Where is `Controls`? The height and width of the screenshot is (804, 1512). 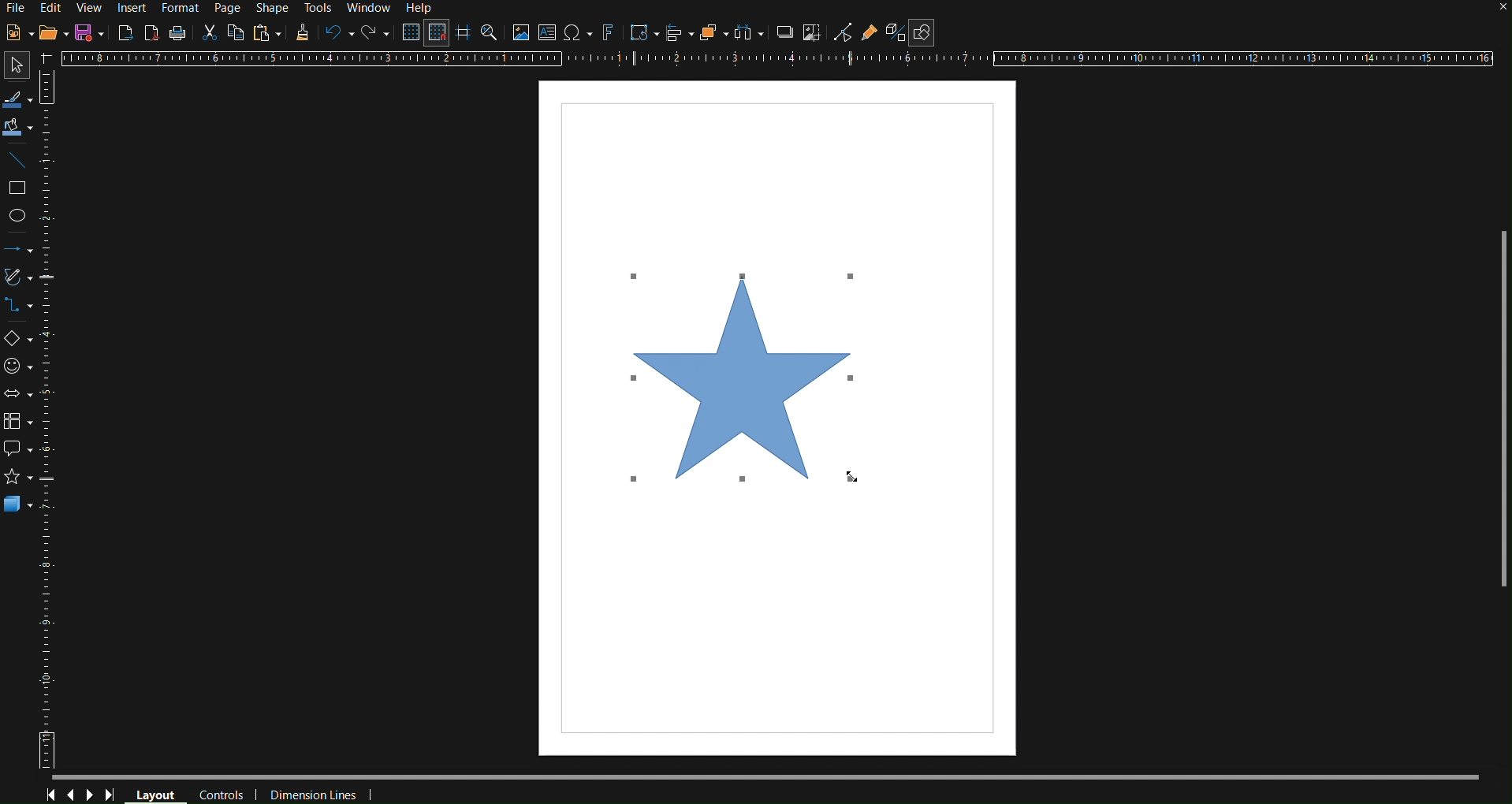 Controls is located at coordinates (81, 795).